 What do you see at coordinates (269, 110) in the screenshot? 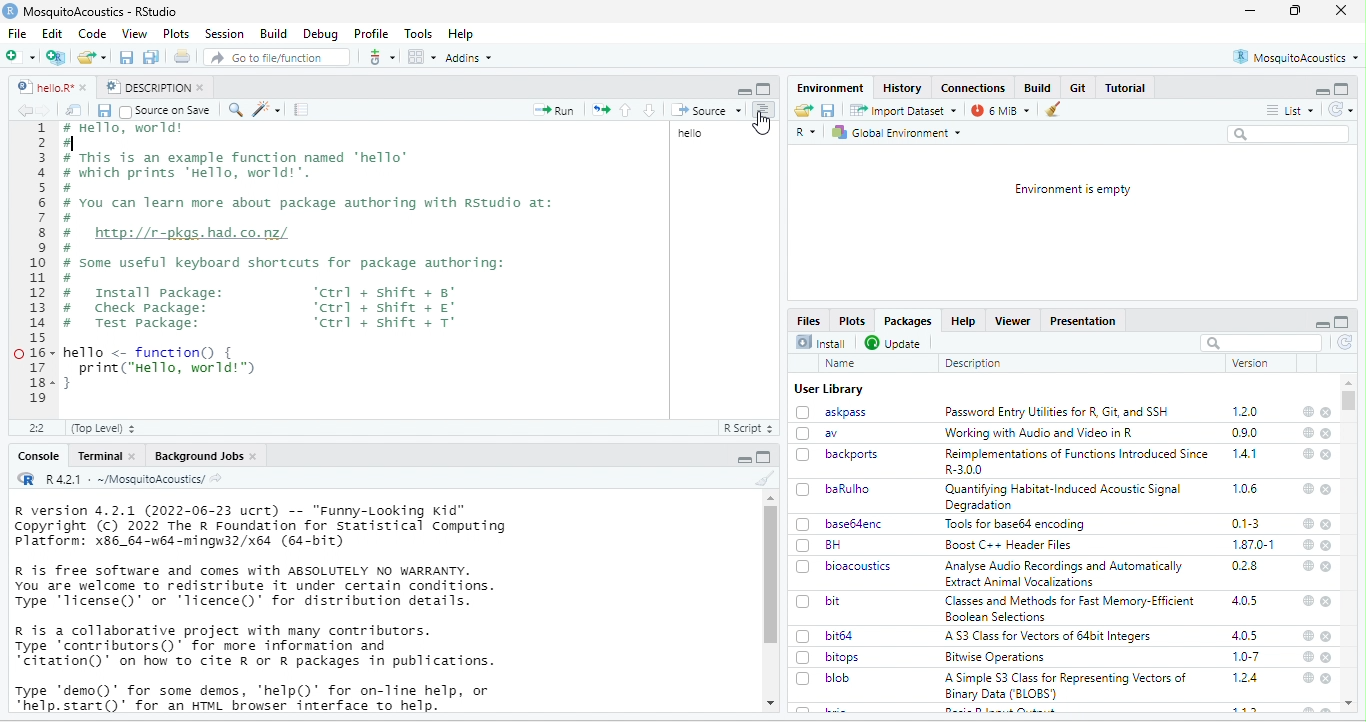
I see `code tools` at bounding box center [269, 110].